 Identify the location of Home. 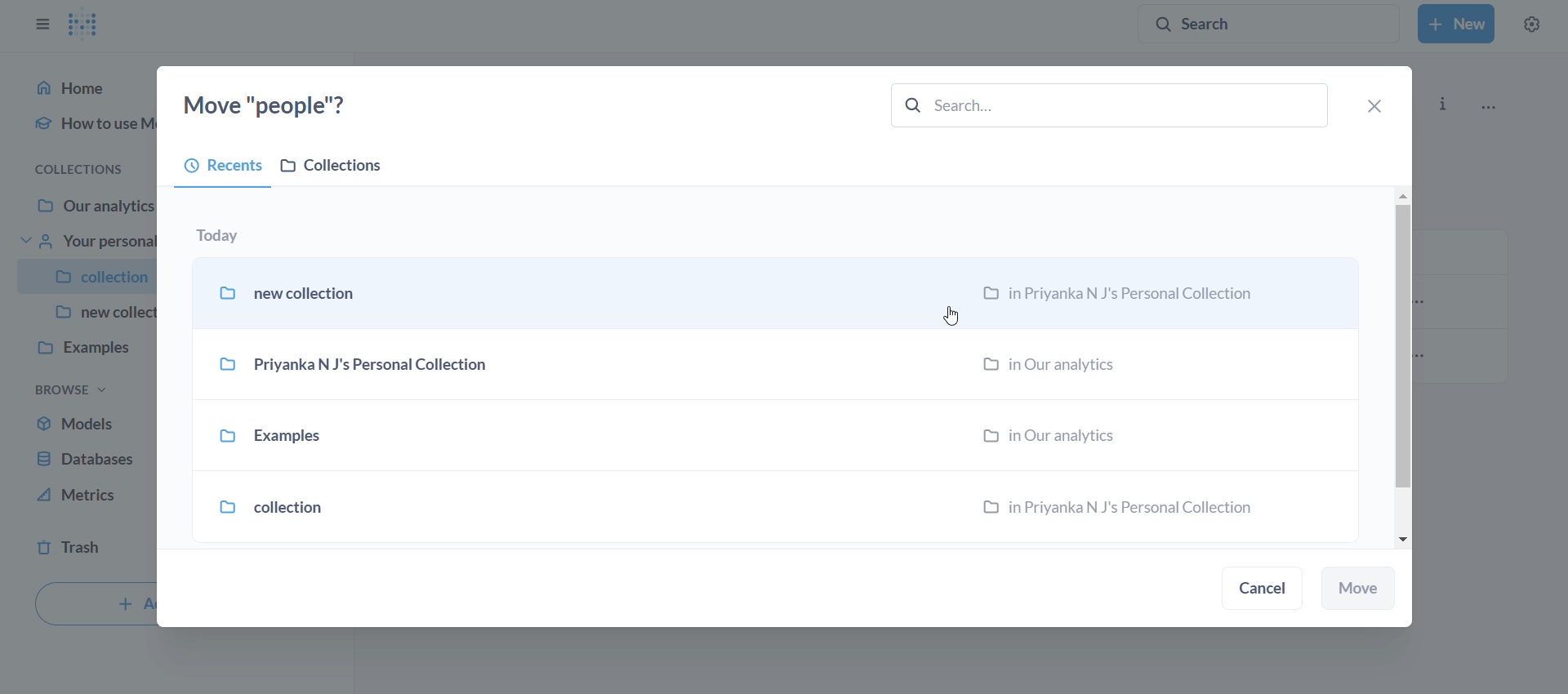
(76, 87).